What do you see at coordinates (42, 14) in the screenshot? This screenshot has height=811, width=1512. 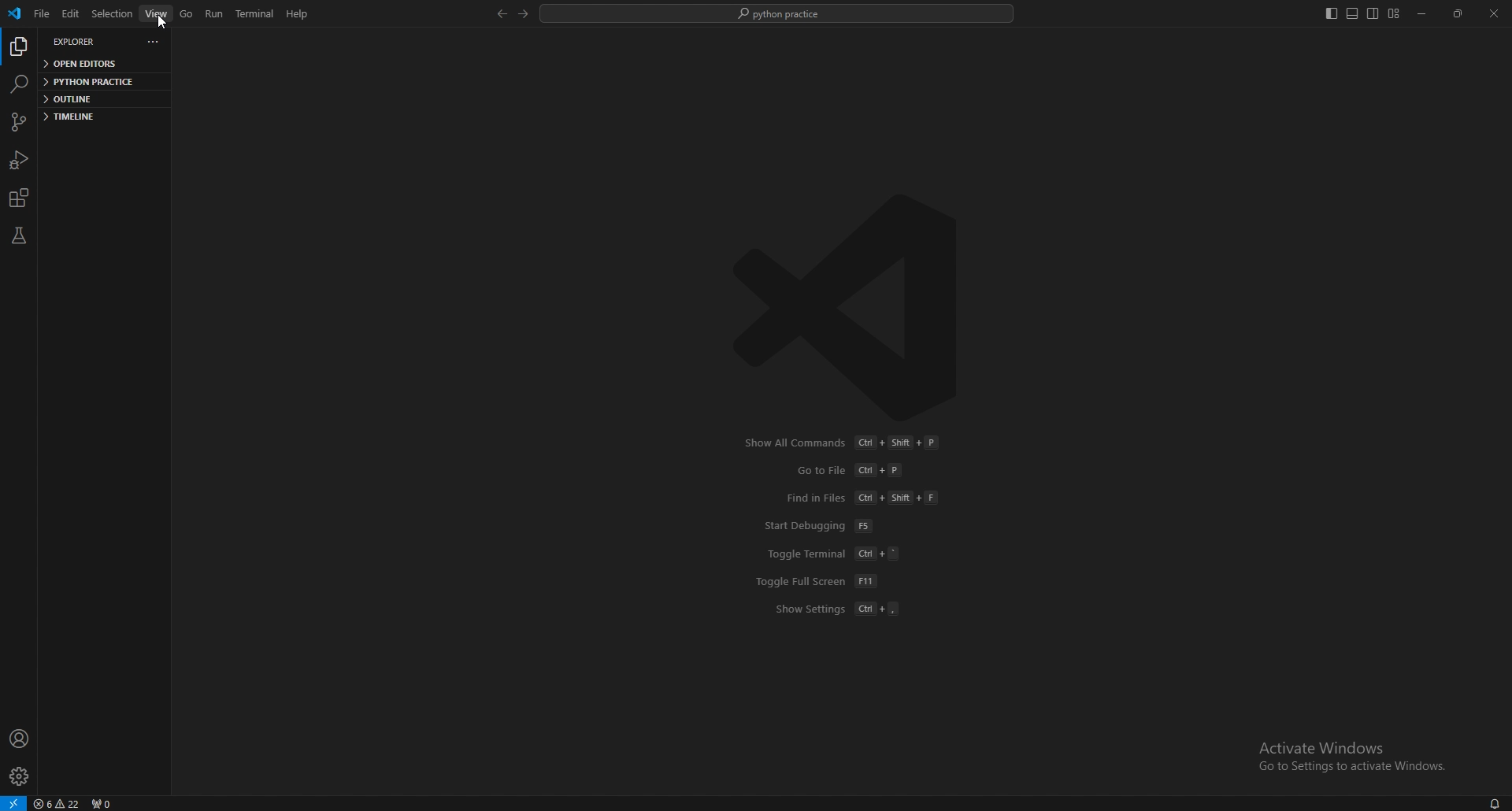 I see `file` at bounding box center [42, 14].